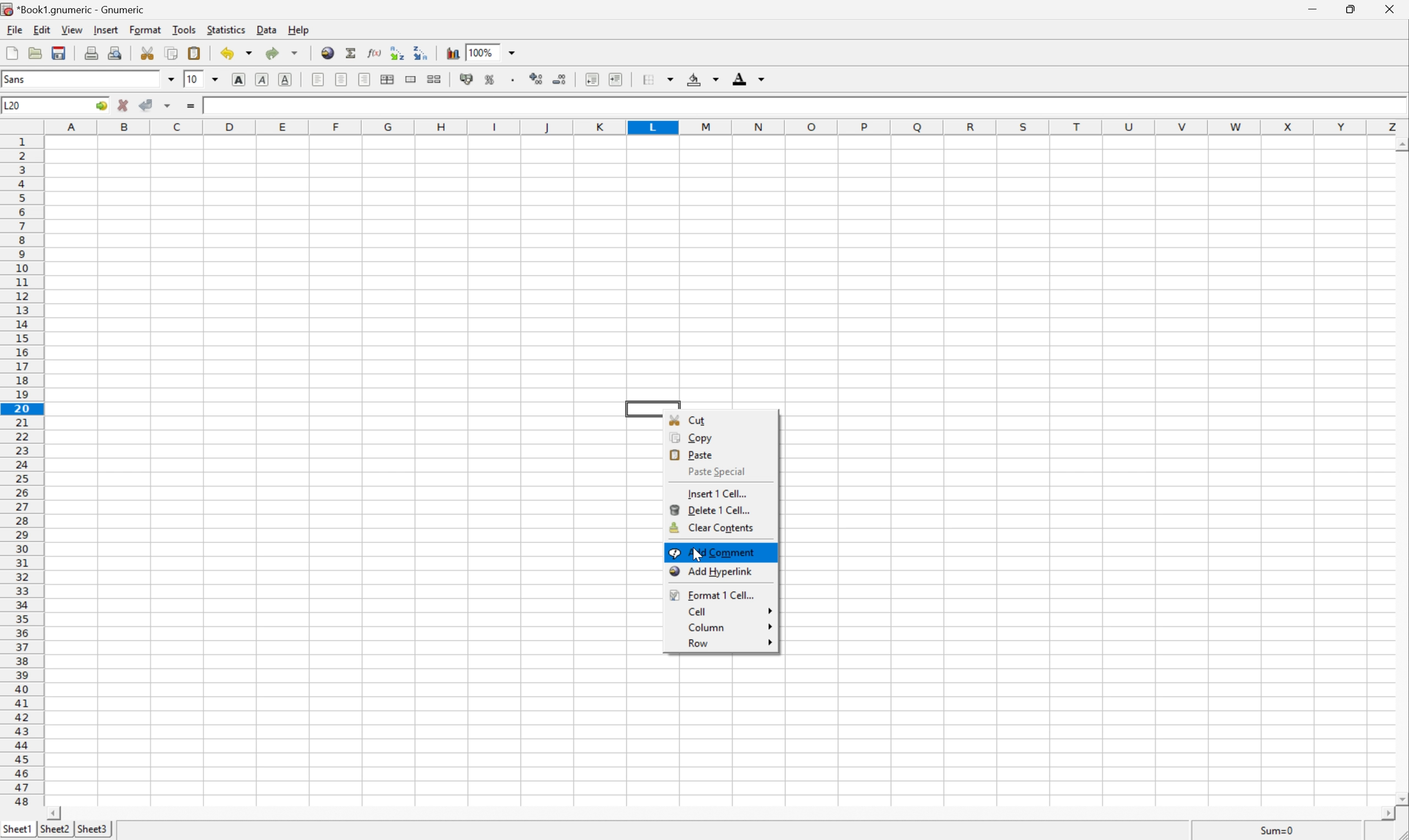  What do you see at coordinates (771, 642) in the screenshot?
I see `Drop Down` at bounding box center [771, 642].